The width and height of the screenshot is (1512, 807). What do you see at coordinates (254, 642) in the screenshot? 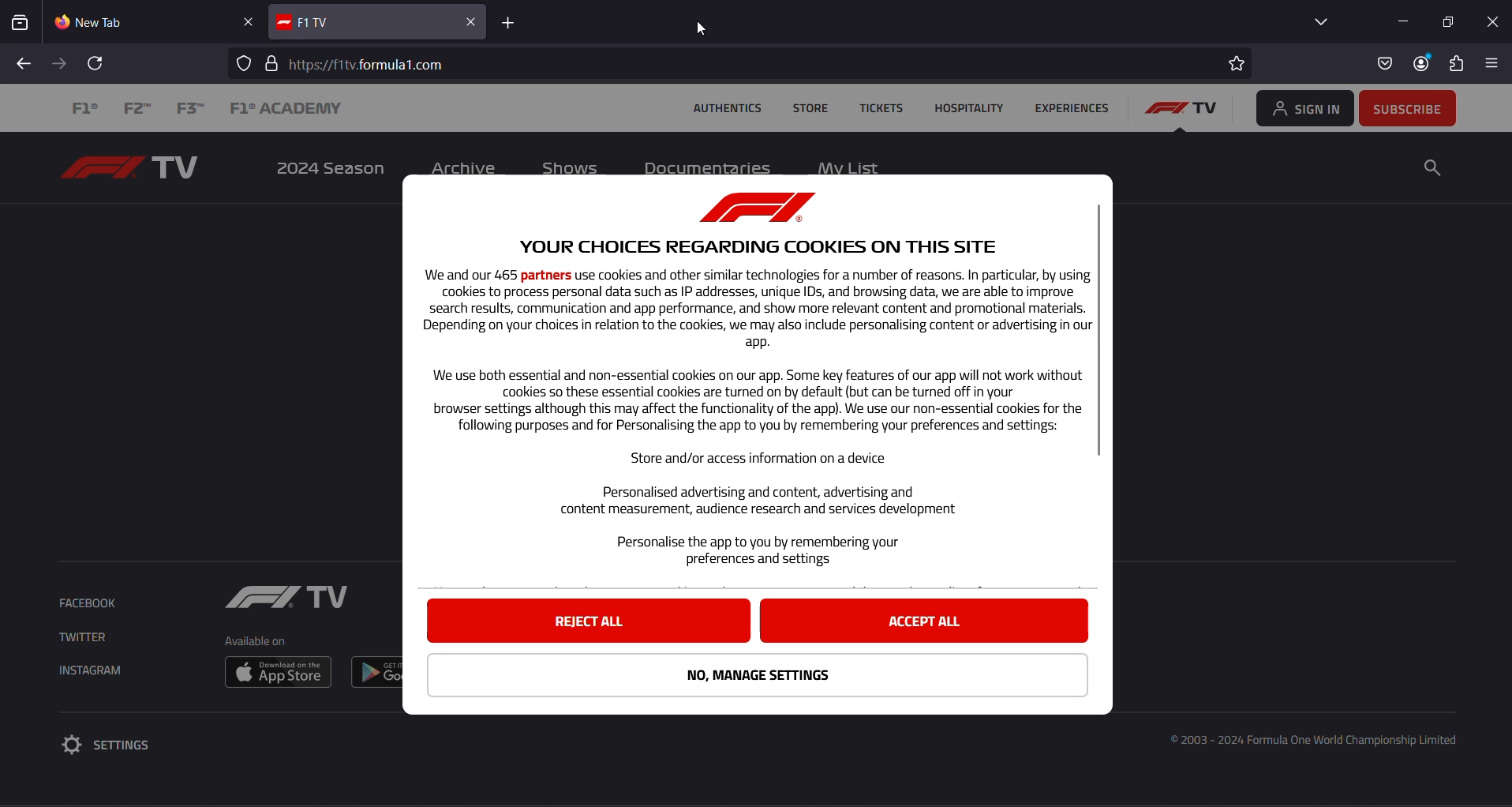
I see `available on` at bounding box center [254, 642].